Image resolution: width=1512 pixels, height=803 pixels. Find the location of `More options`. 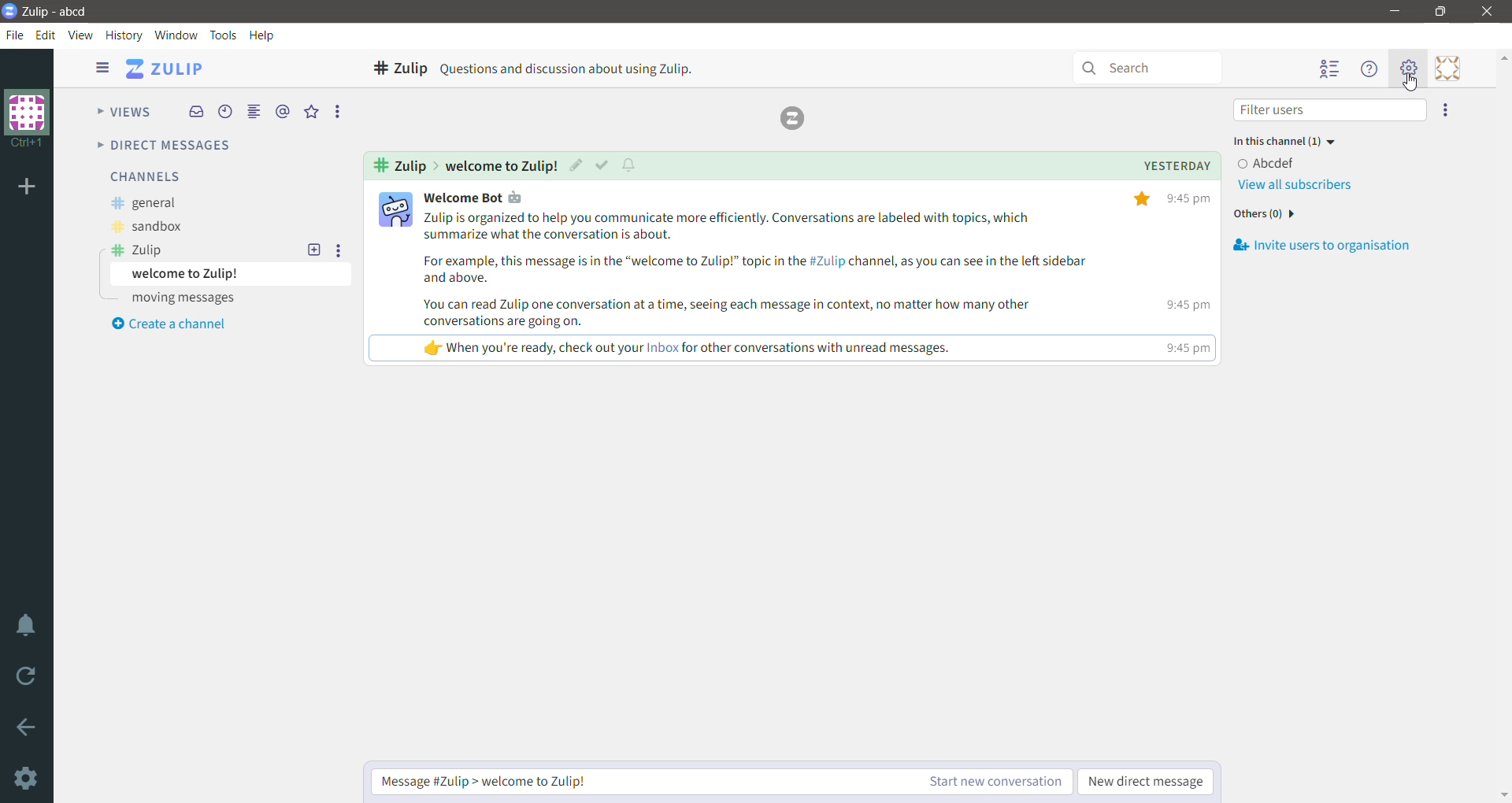

More options is located at coordinates (339, 250).